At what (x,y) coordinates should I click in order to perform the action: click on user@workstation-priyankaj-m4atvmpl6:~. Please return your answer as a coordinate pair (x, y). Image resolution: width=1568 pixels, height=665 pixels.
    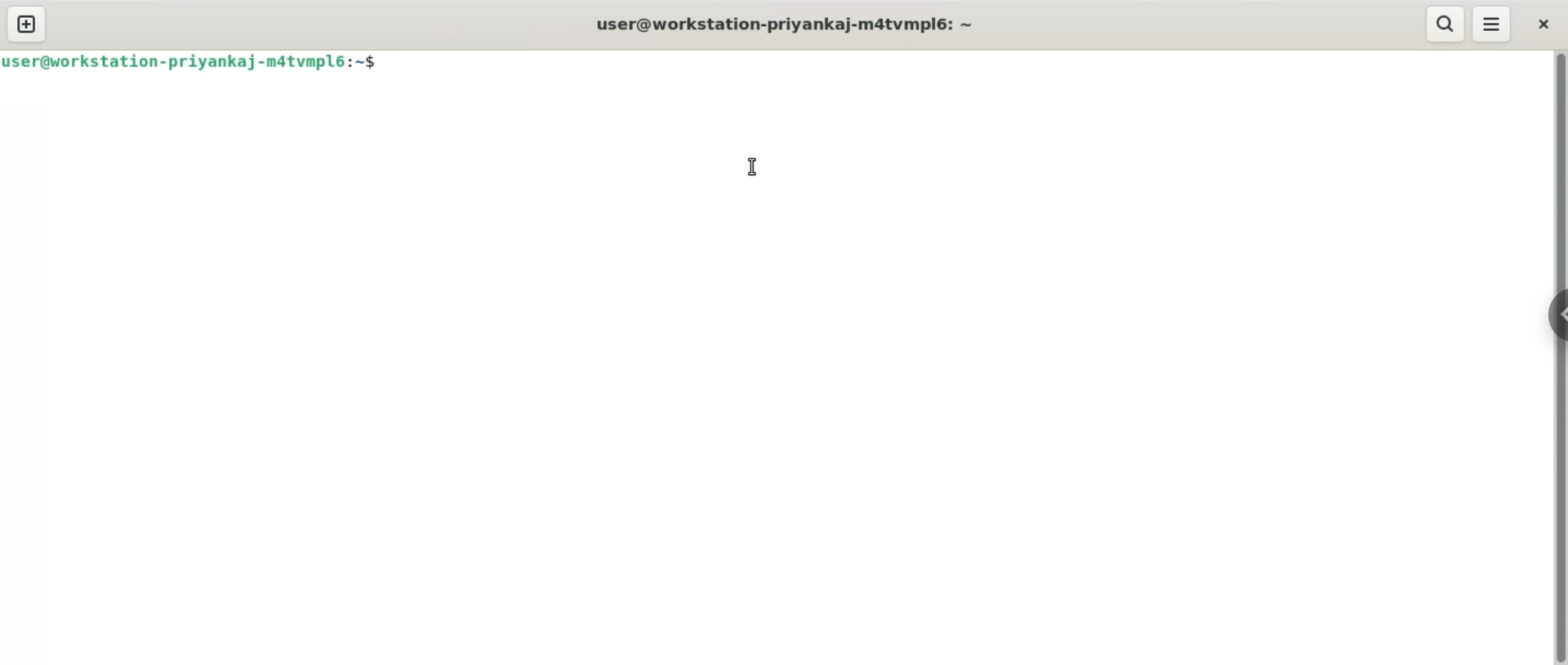
    Looking at the image, I should click on (784, 24).